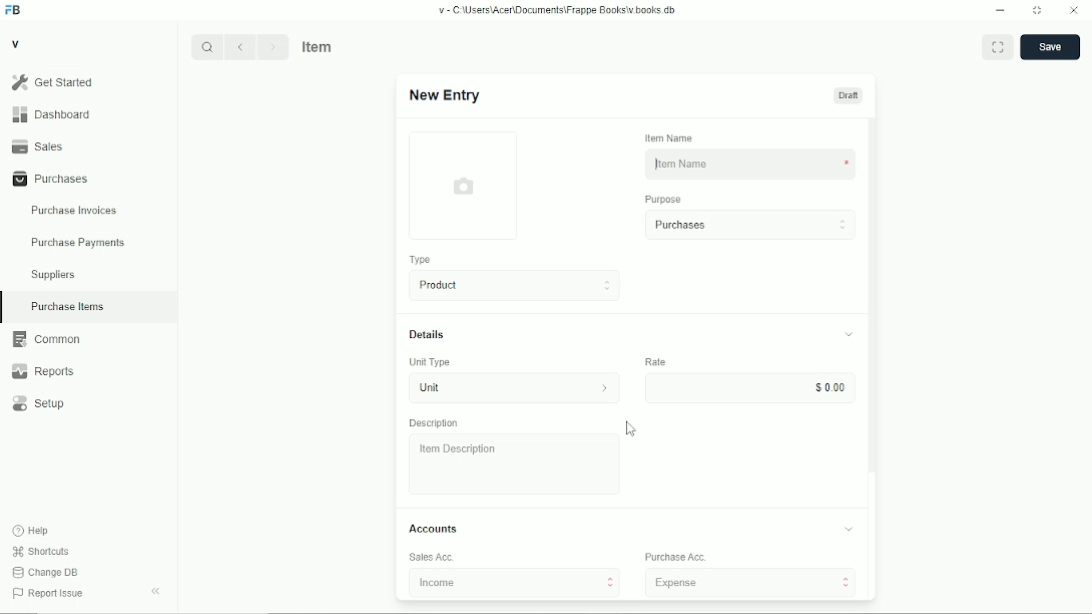  Describe the element at coordinates (51, 179) in the screenshot. I see `purchases` at that location.